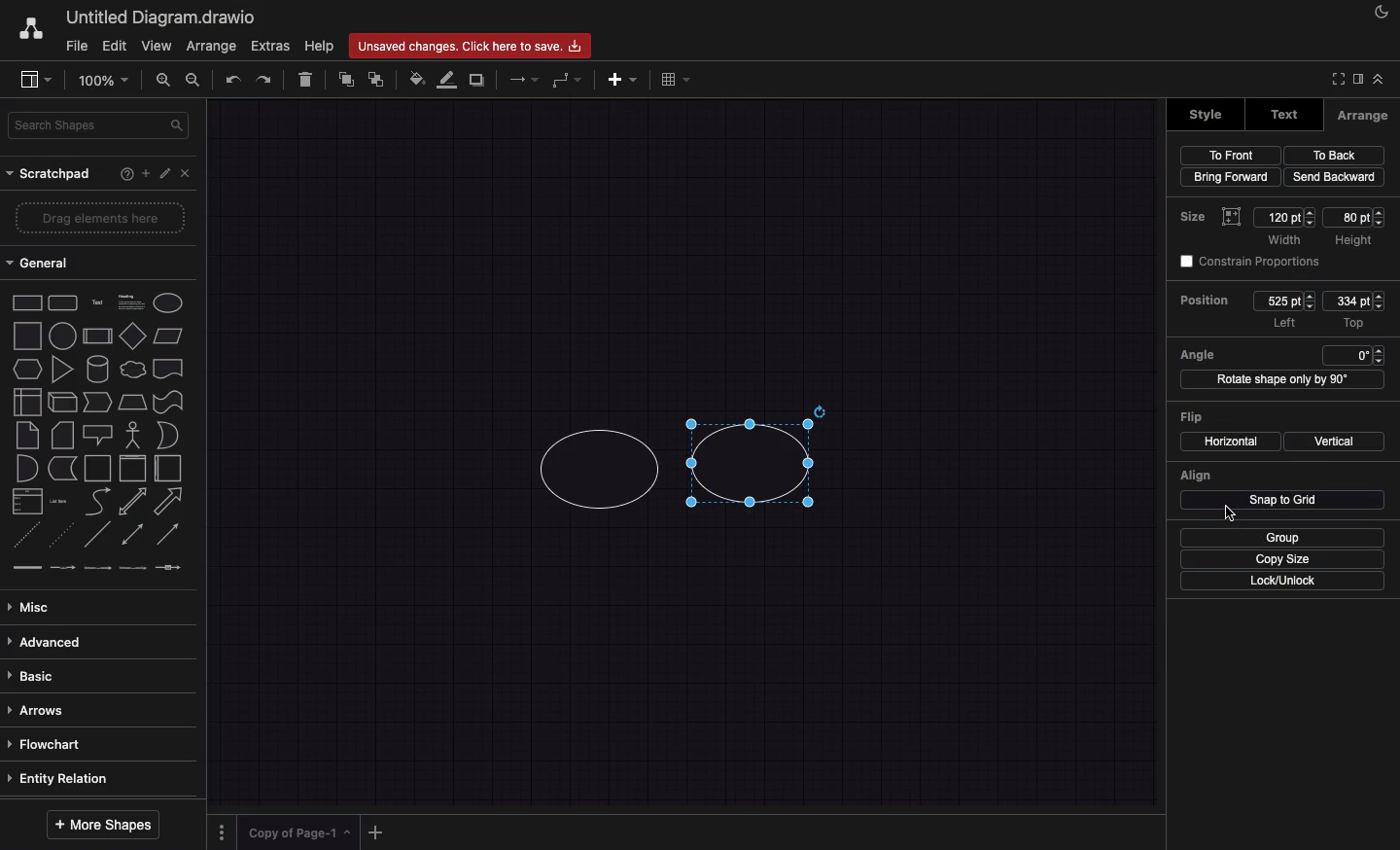 This screenshot has height=850, width=1400. I want to click on height , so click(1352, 241).